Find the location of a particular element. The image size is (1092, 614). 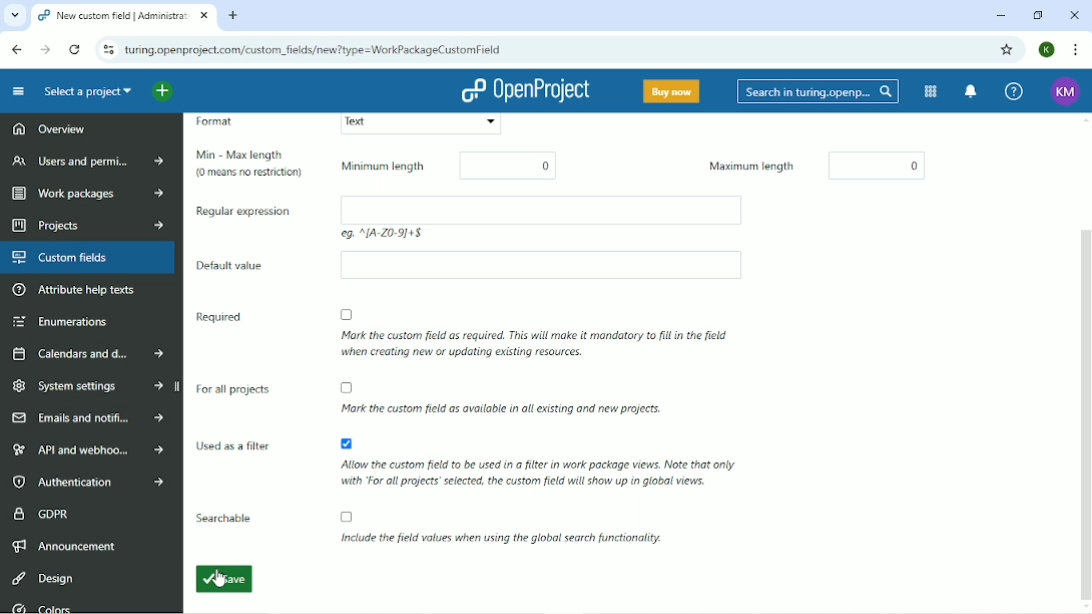

Users and permissions is located at coordinates (88, 161).